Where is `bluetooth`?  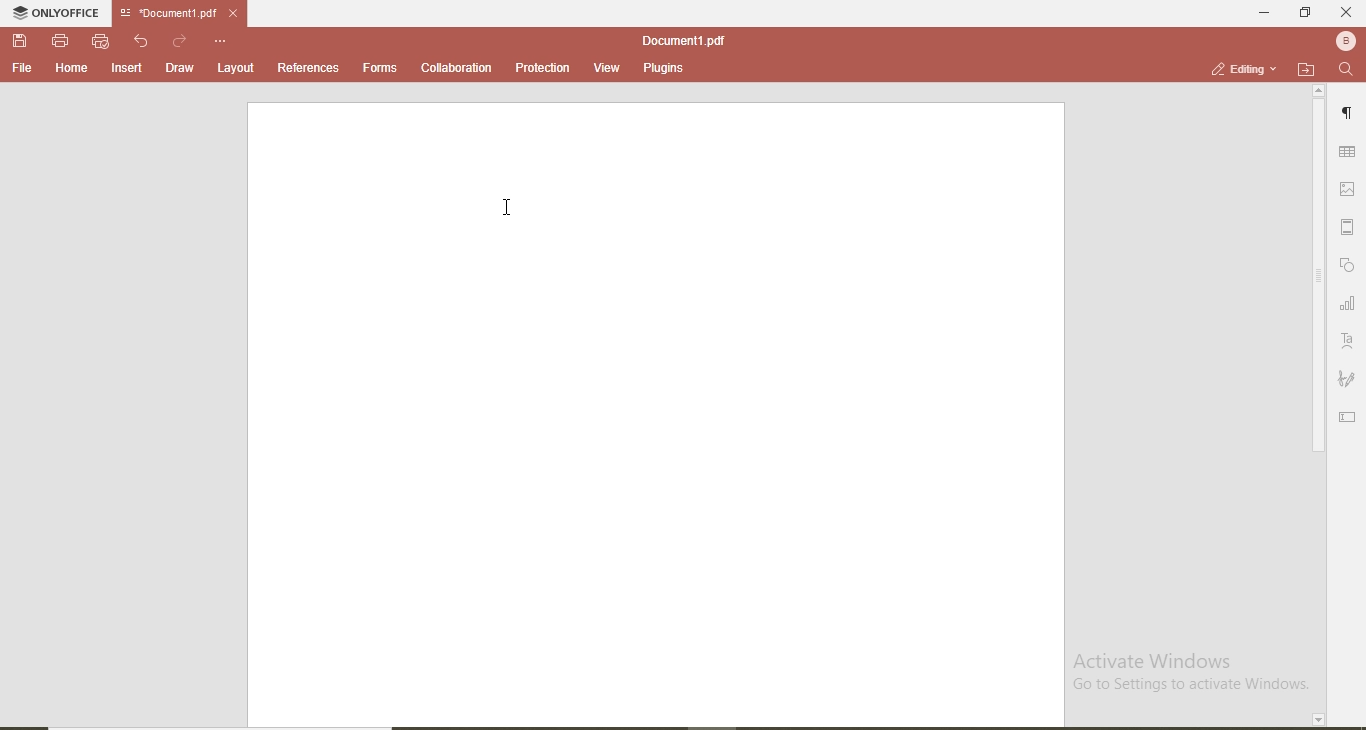
bluetooth is located at coordinates (1343, 41).